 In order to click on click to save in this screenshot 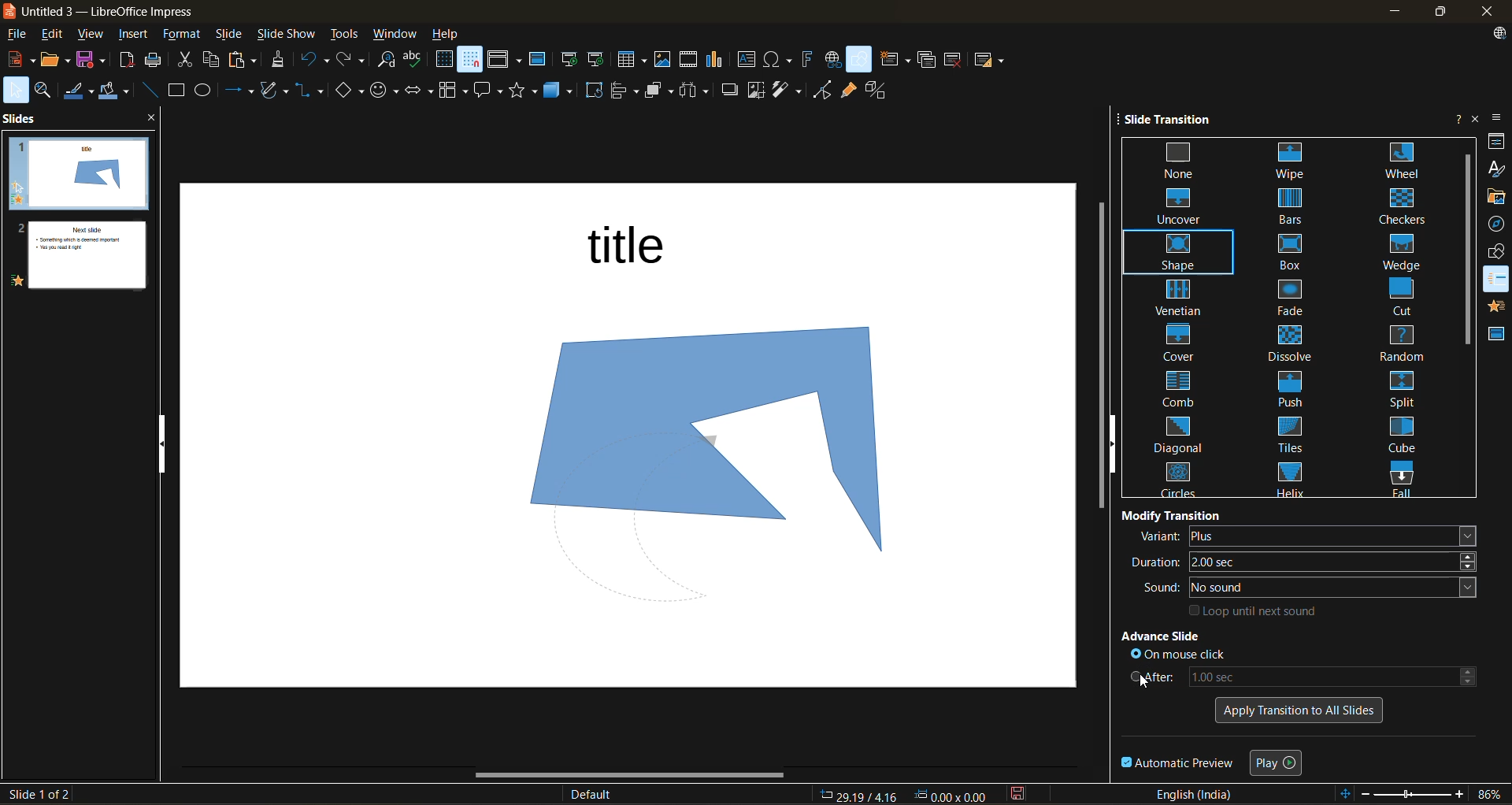, I will do `click(1016, 796)`.